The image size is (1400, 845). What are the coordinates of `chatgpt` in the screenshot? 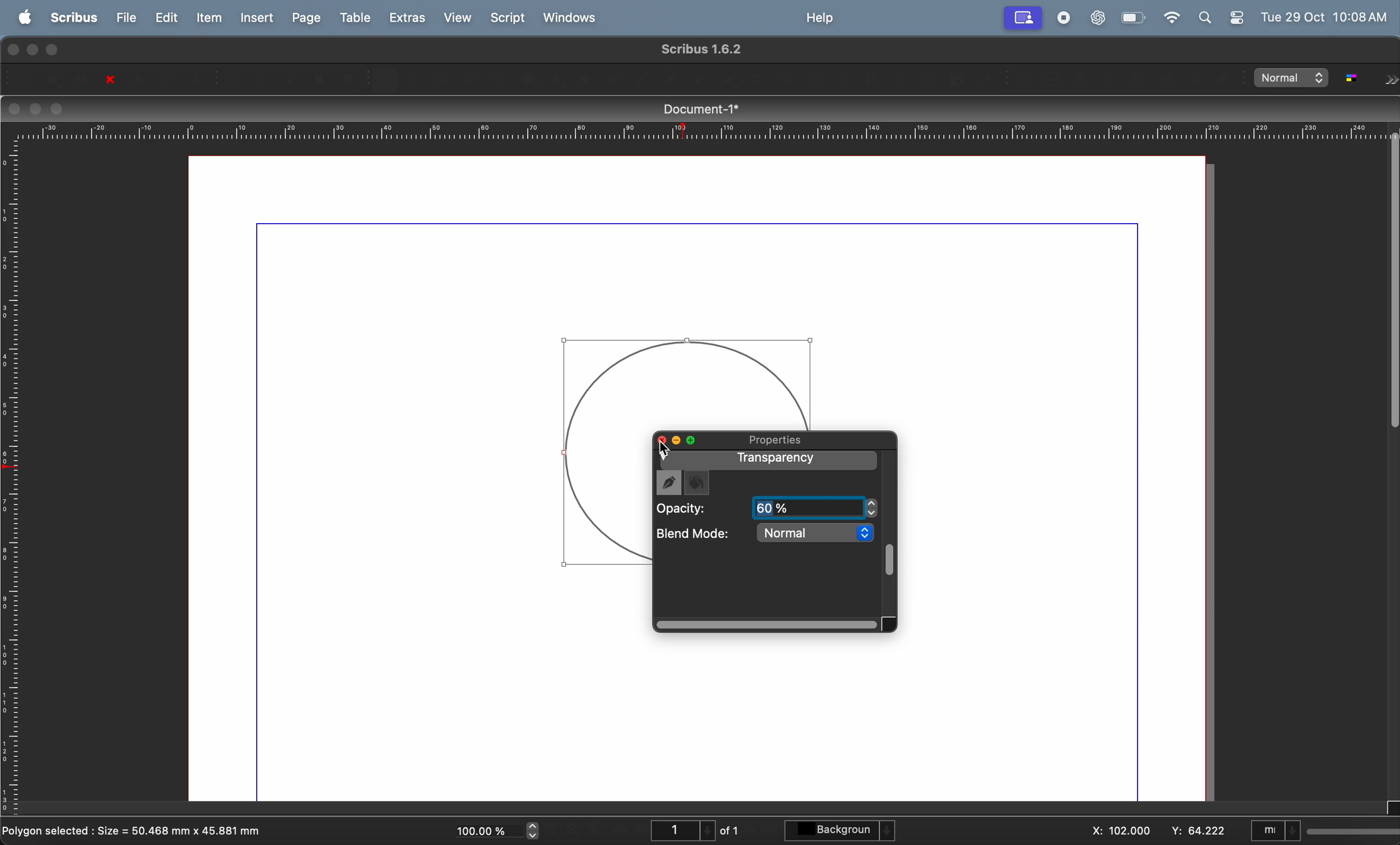 It's located at (1098, 18).